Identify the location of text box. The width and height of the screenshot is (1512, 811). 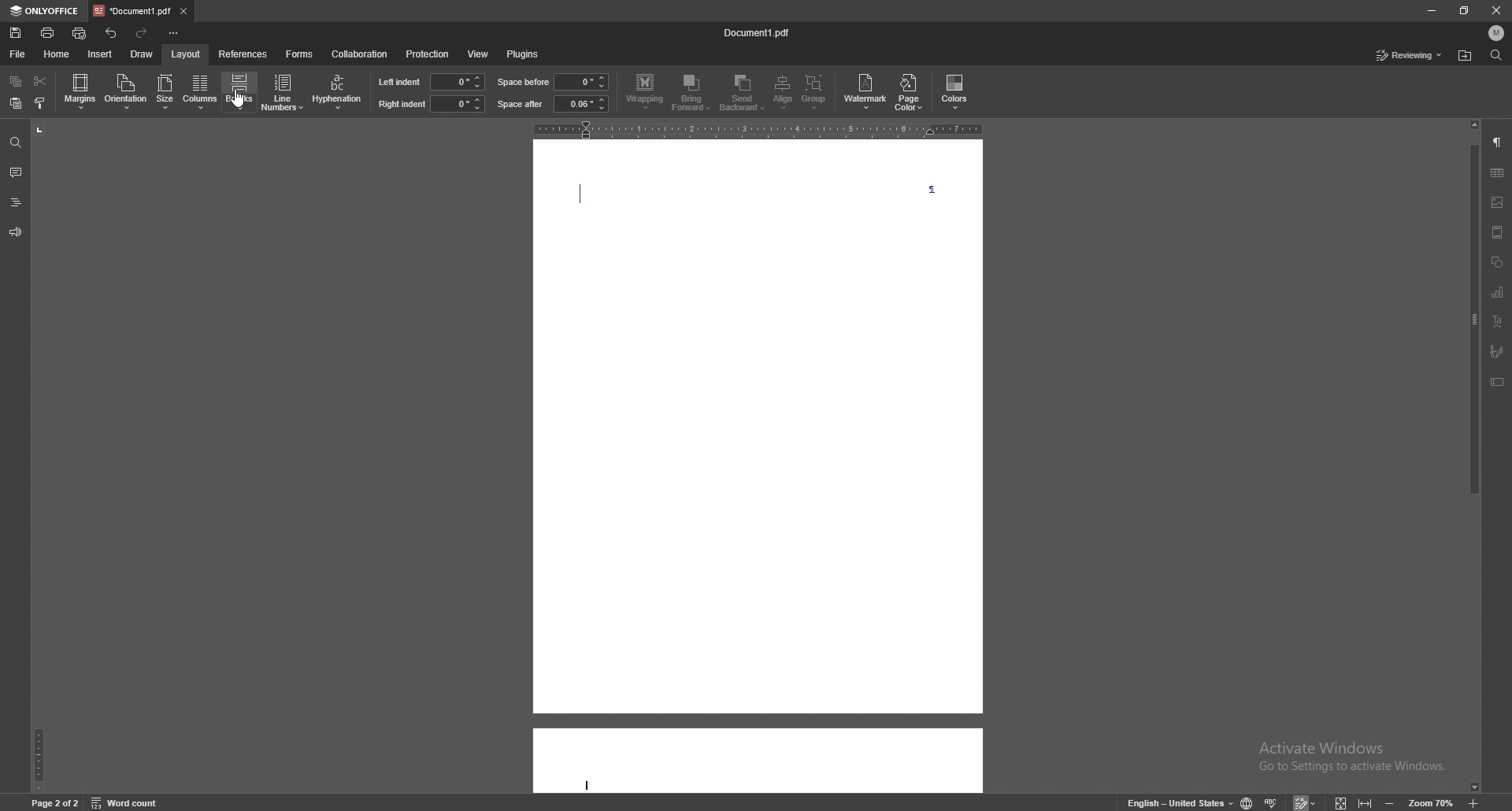
(1496, 381).